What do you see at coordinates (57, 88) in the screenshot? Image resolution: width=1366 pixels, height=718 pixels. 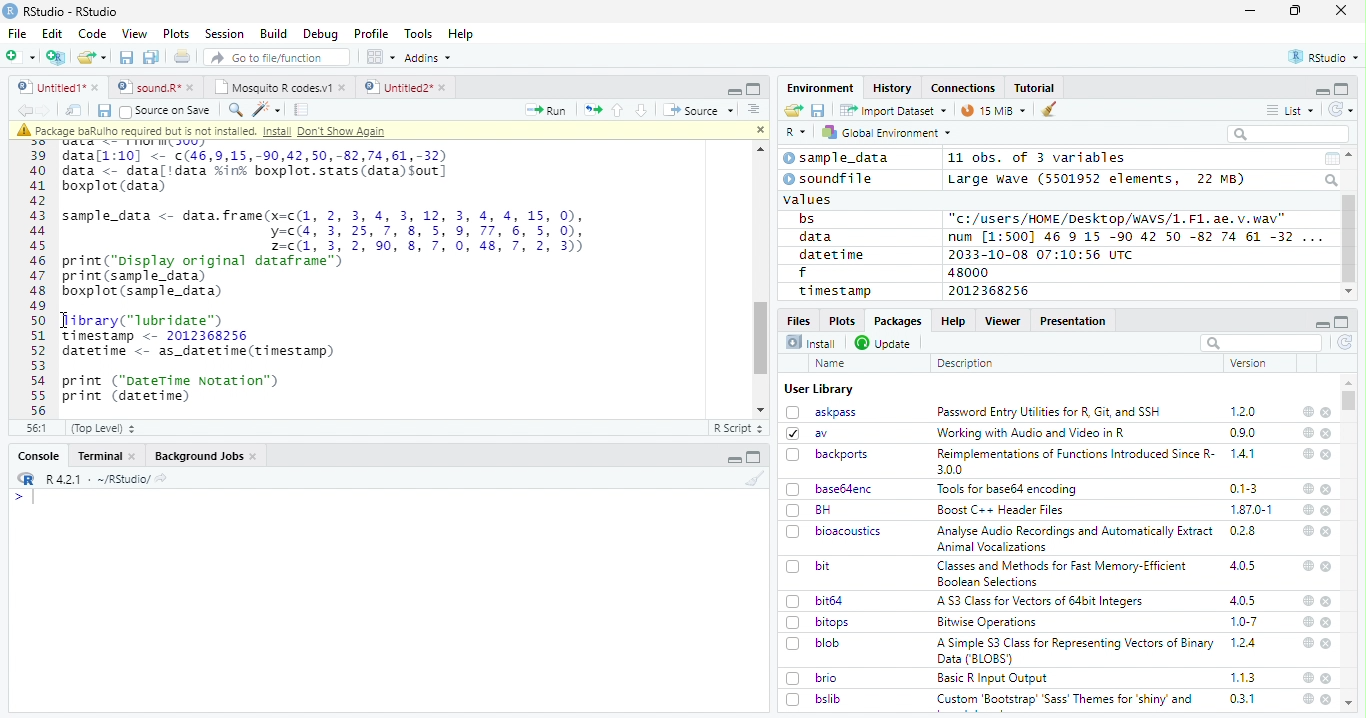 I see `Untitled1*` at bounding box center [57, 88].